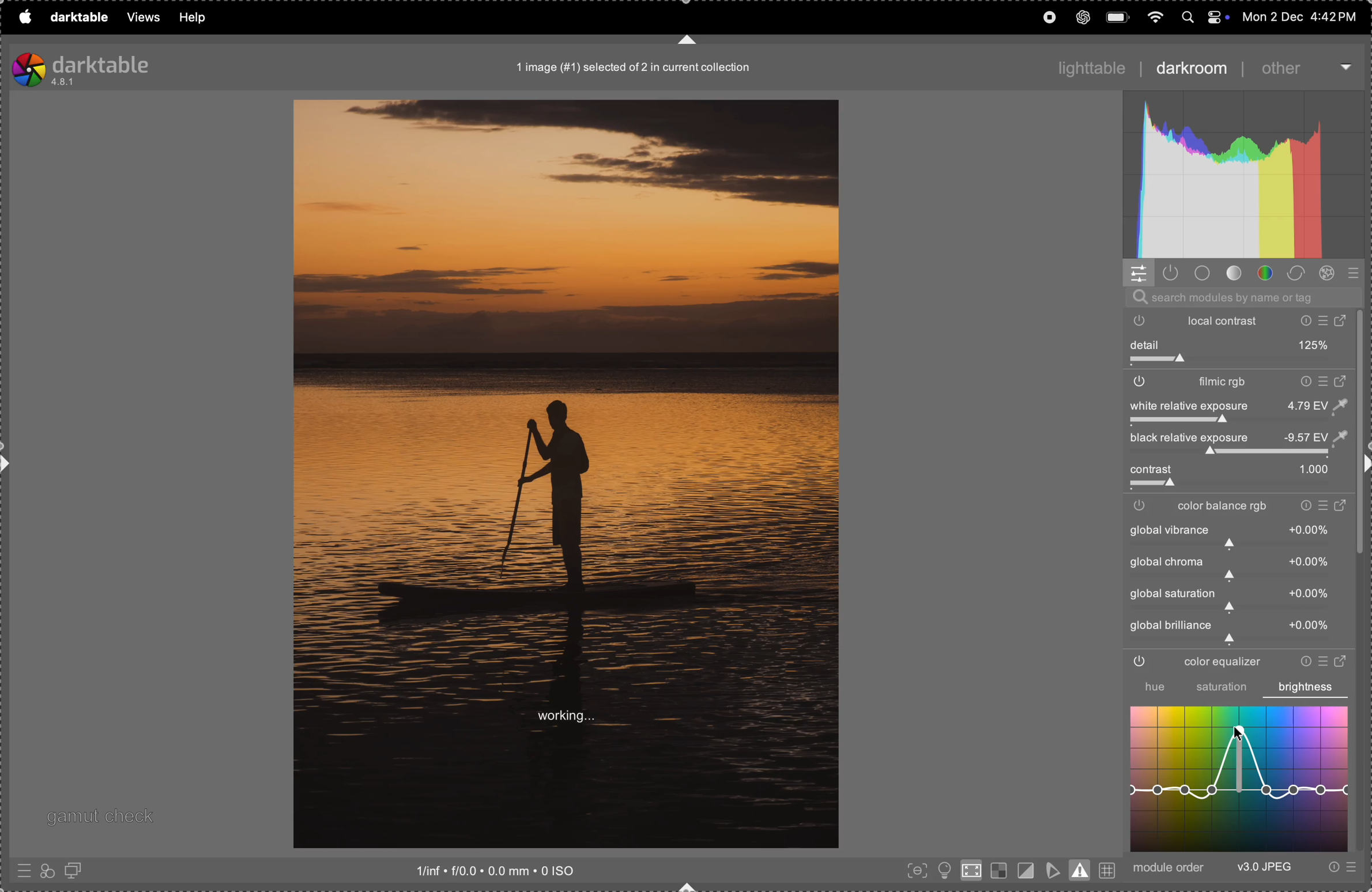 The width and height of the screenshot is (1372, 892). Describe the element at coordinates (1299, 16) in the screenshot. I see `date and time` at that location.